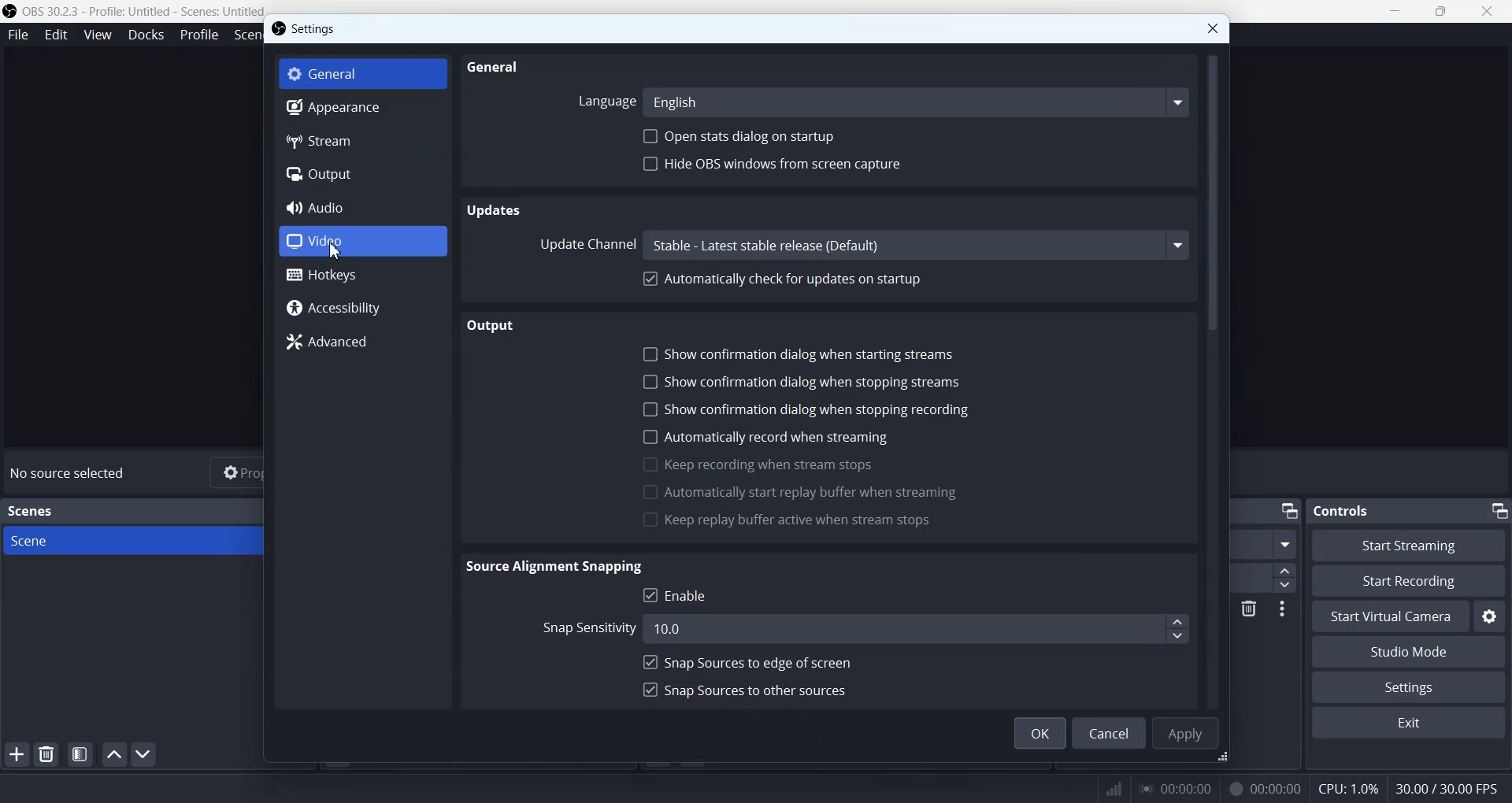 The image size is (1512, 803). Describe the element at coordinates (747, 662) in the screenshot. I see `Snap sources to edge of screen` at that location.